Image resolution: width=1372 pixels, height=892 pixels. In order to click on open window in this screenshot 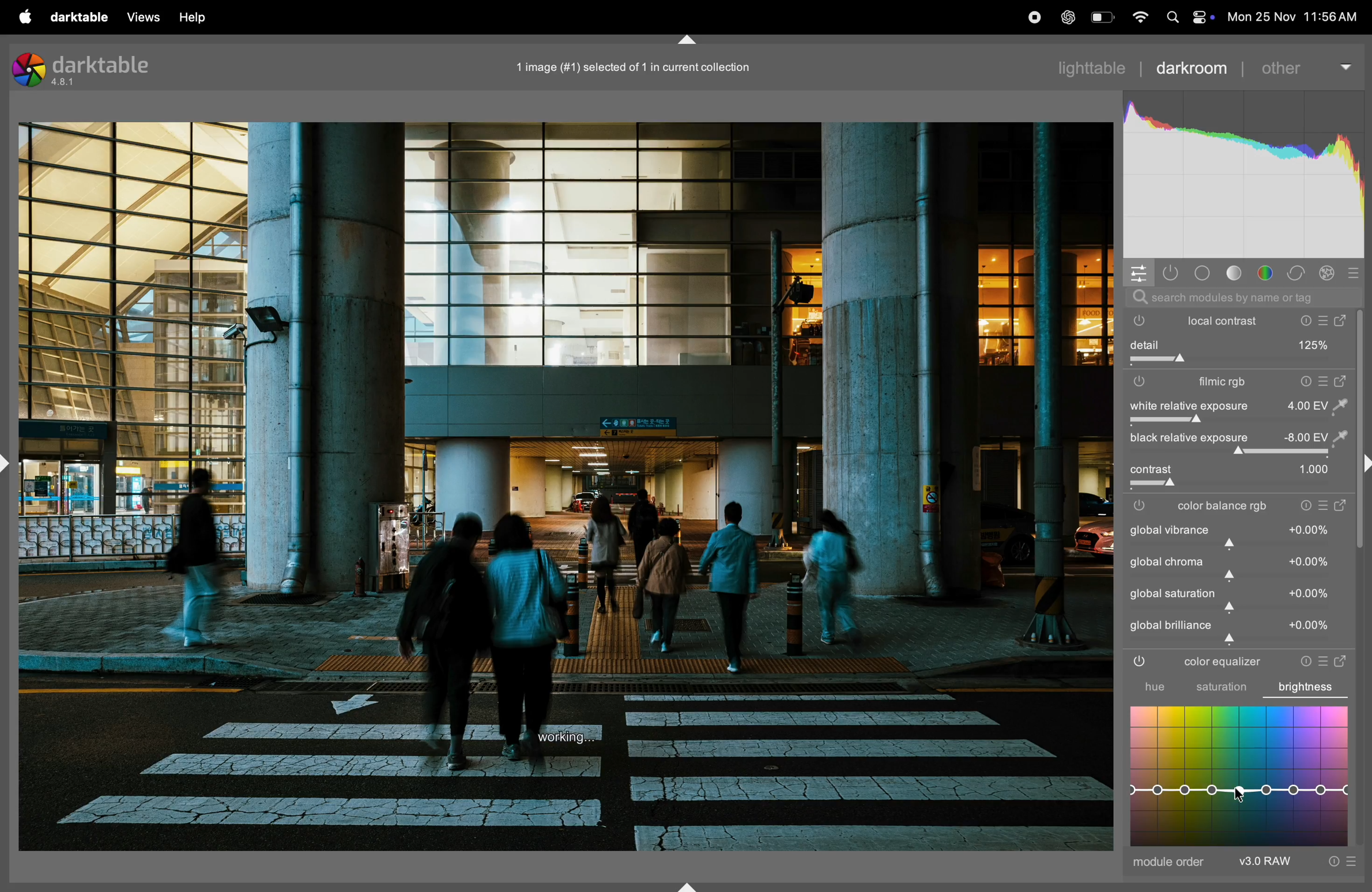, I will do `click(1343, 659)`.